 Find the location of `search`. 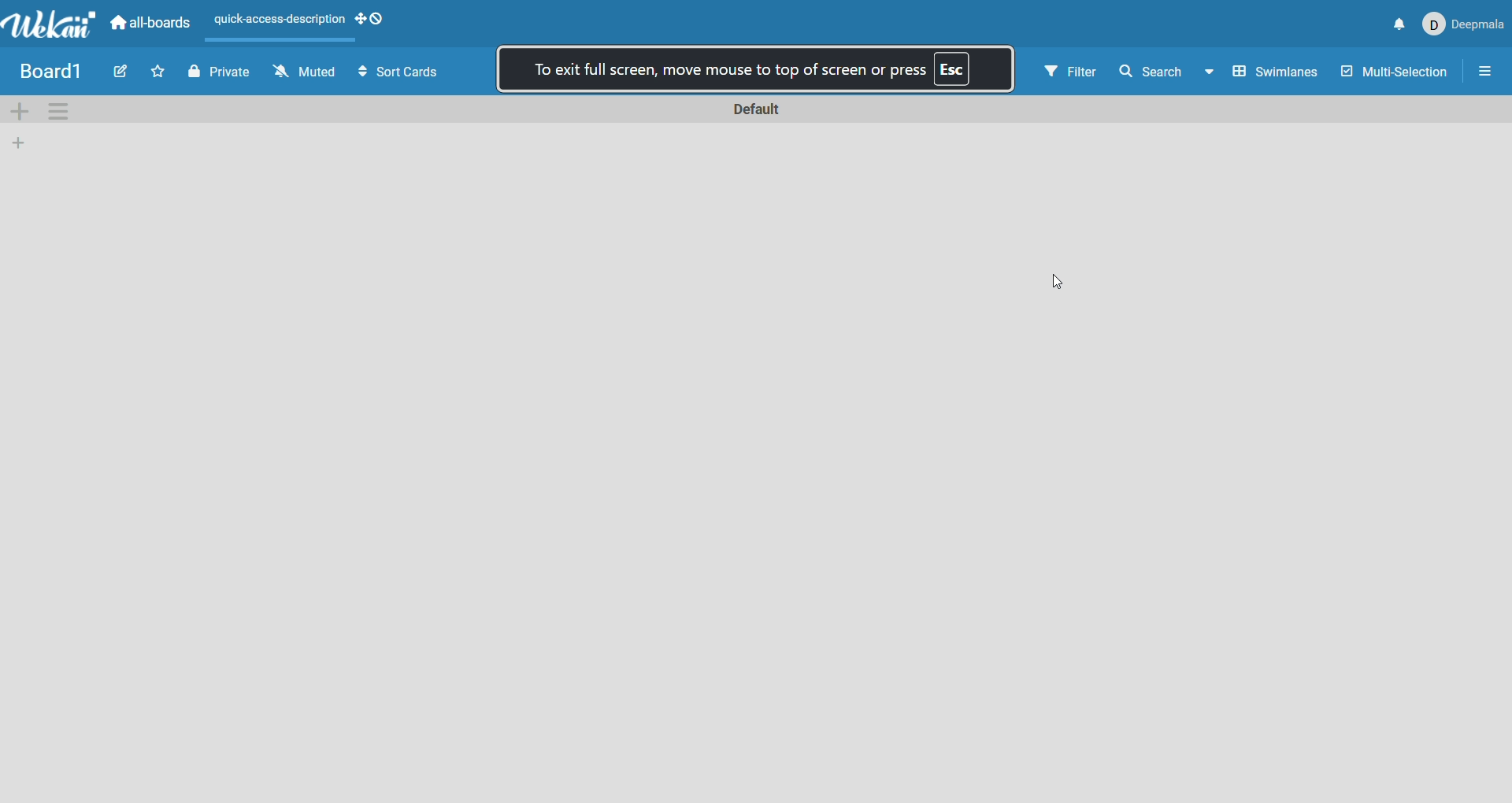

search is located at coordinates (1165, 74).